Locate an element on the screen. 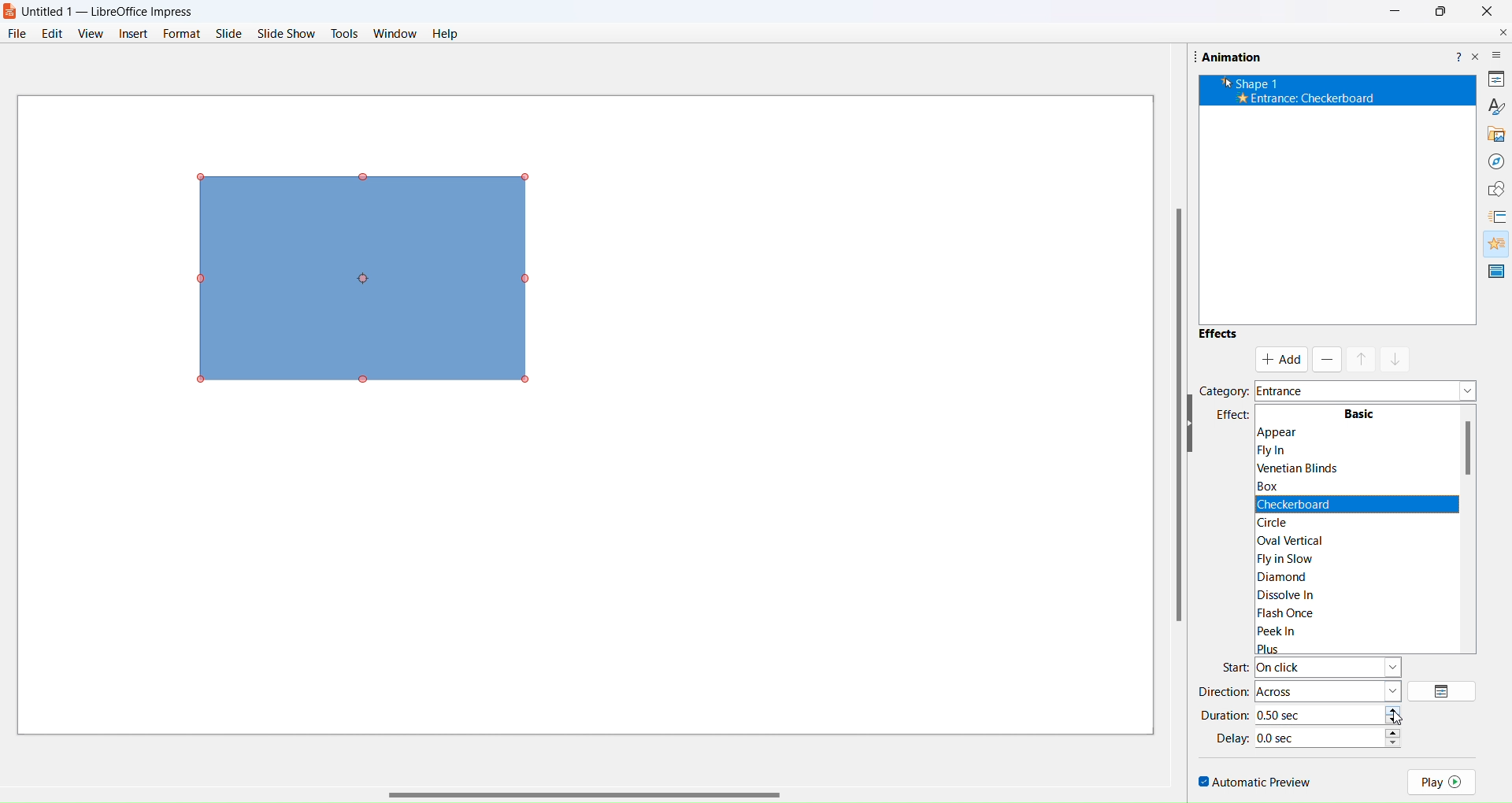 The height and width of the screenshot is (803, 1512). file is located at coordinates (18, 33).